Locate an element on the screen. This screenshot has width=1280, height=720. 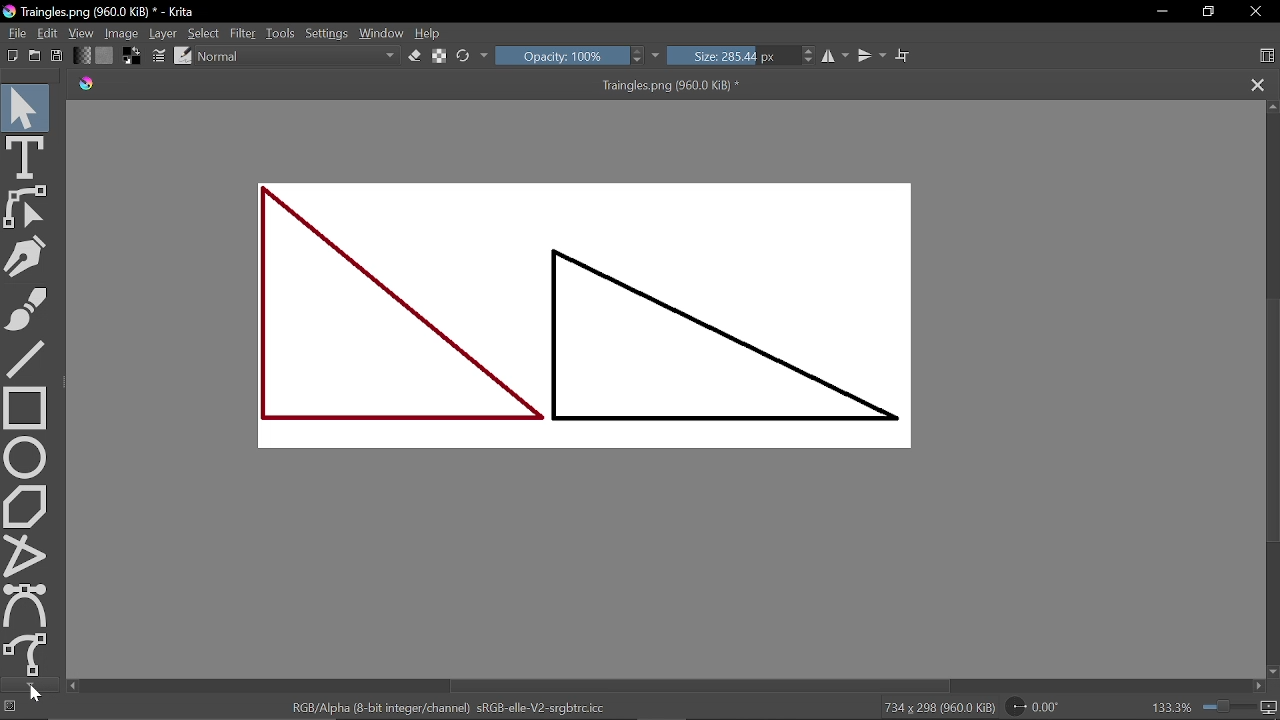
Move down is located at coordinates (1272, 673).